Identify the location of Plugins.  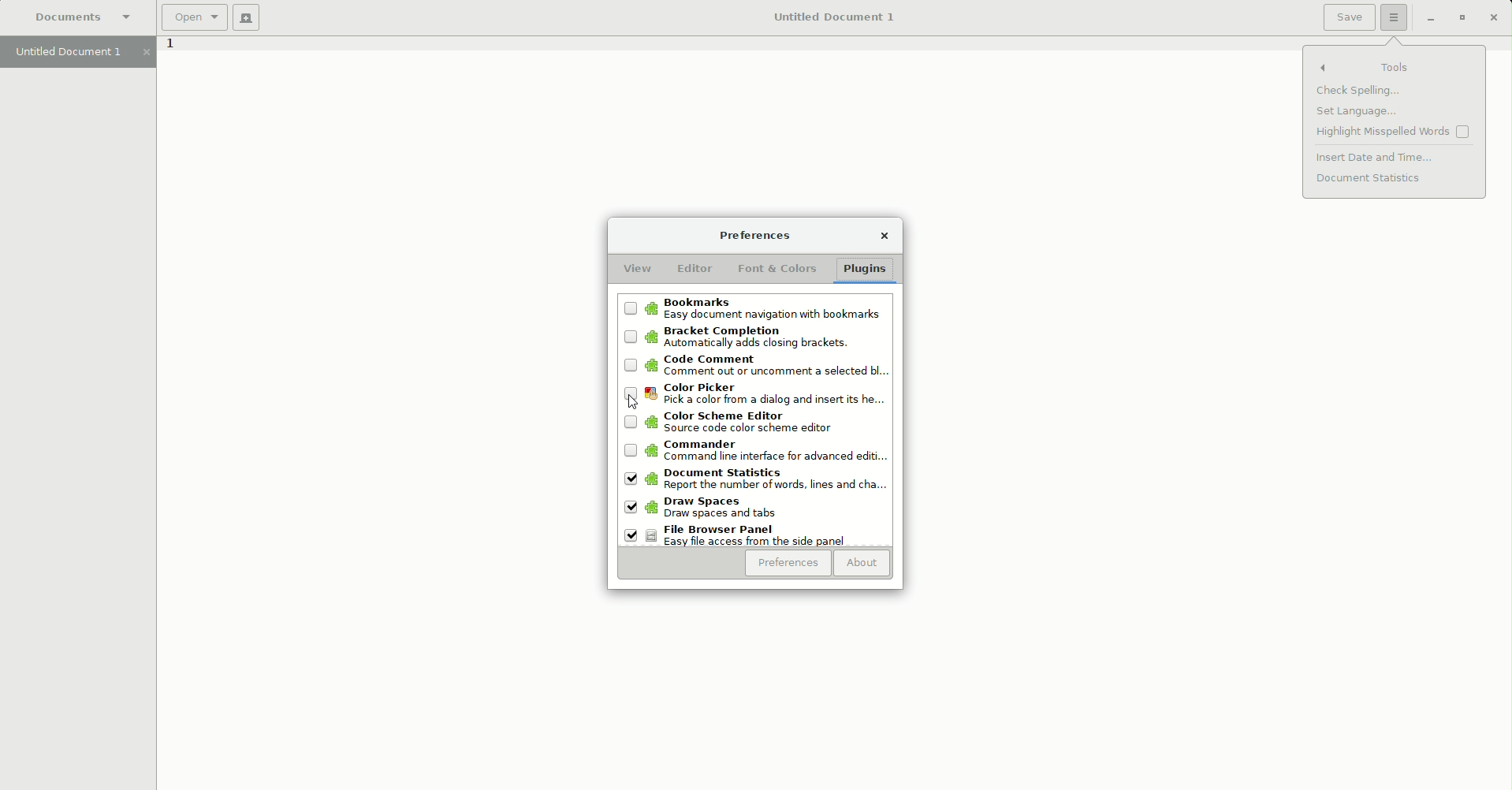
(868, 270).